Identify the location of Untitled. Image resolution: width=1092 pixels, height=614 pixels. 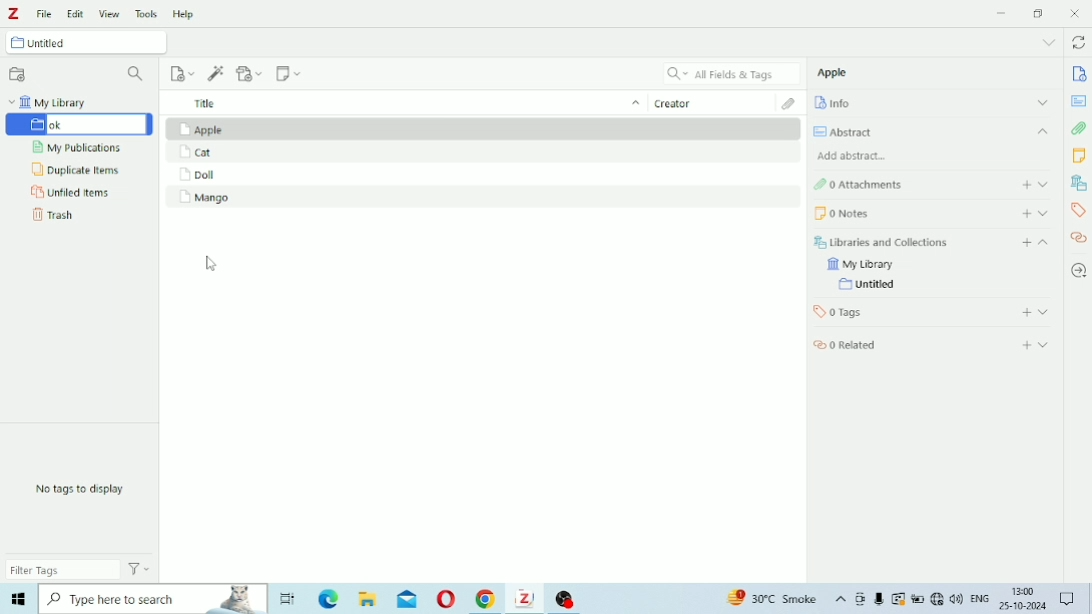
(80, 125).